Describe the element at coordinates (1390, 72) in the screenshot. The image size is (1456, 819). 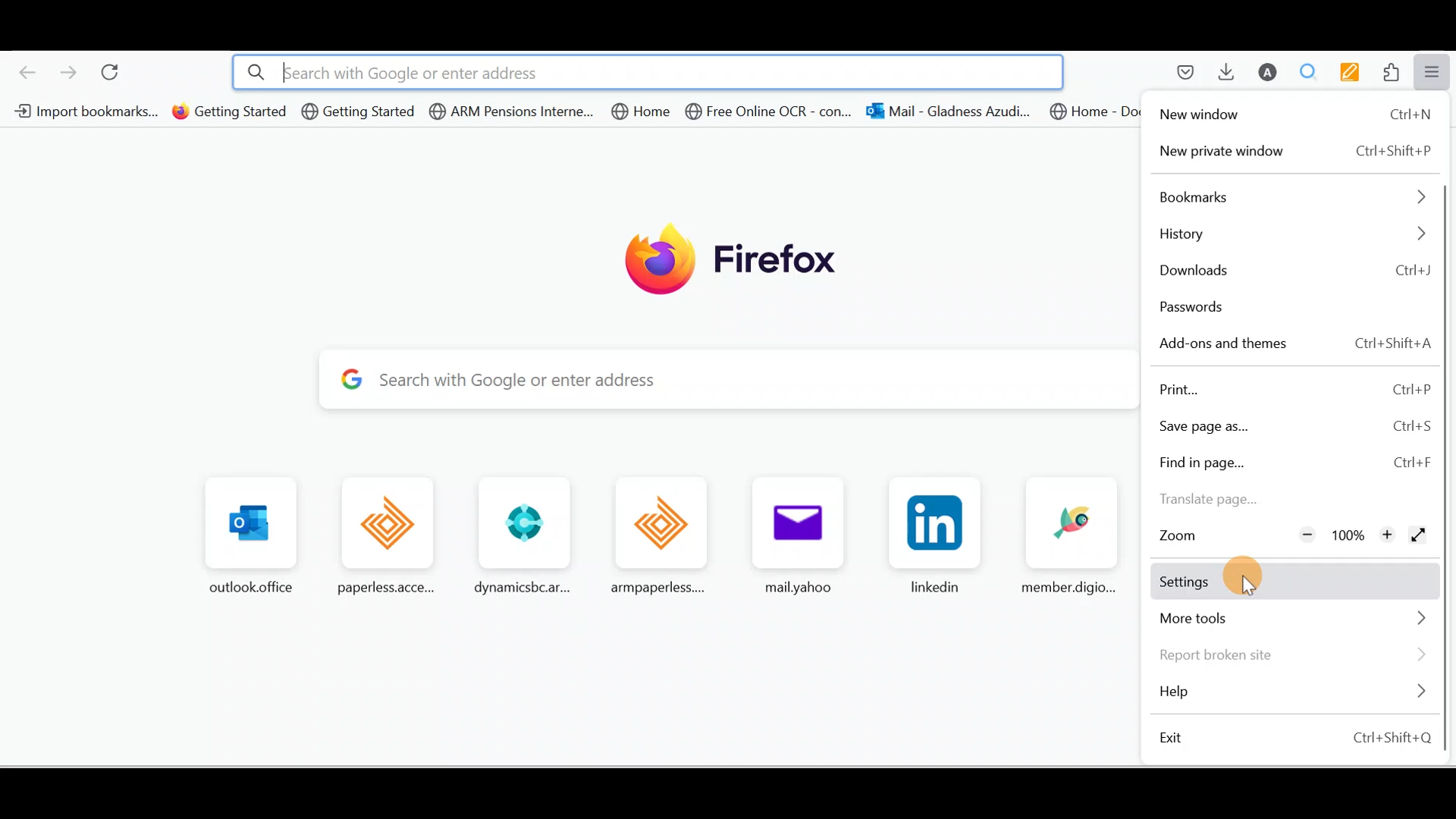
I see `Extensions` at that location.